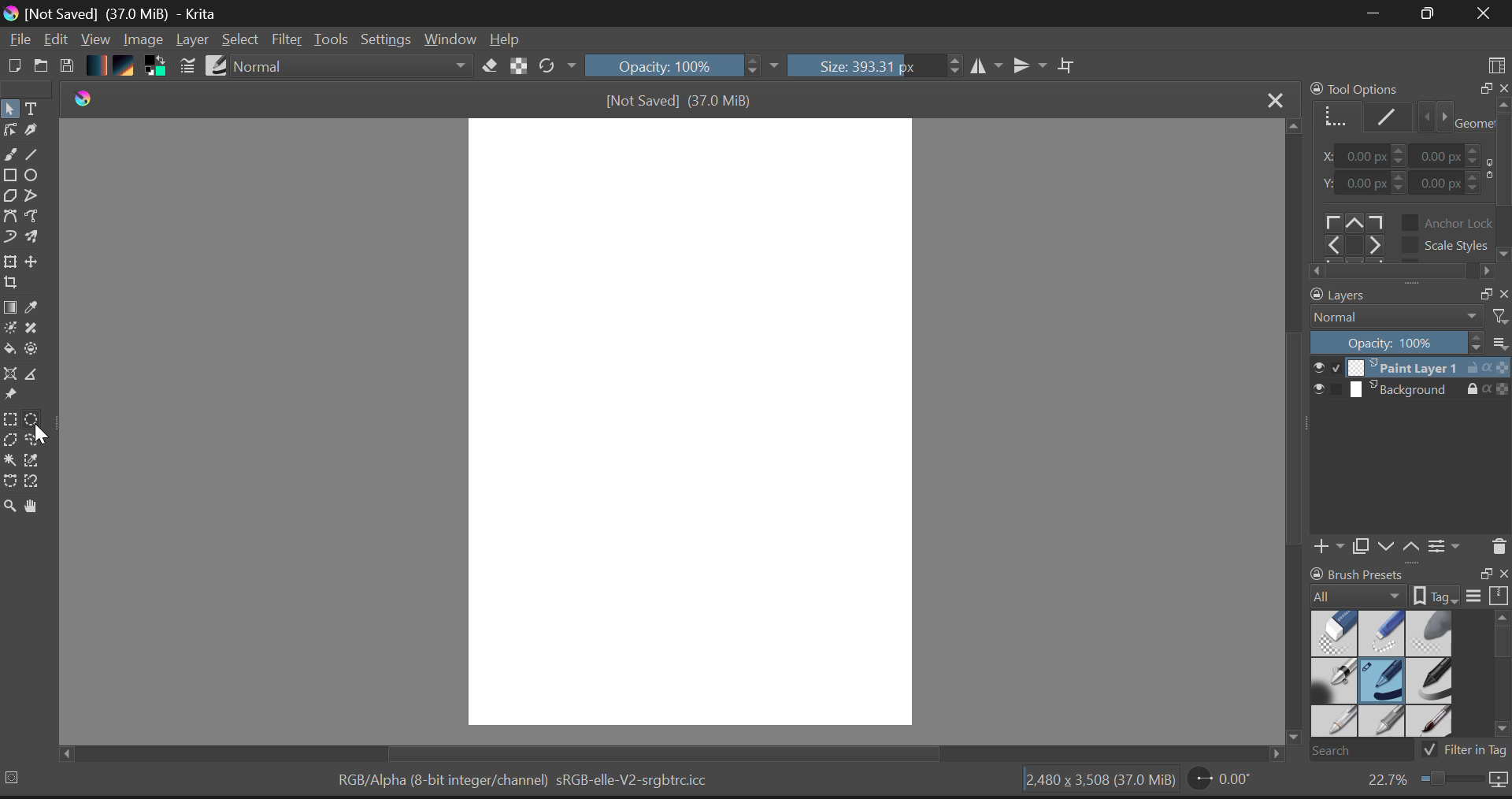 The width and height of the screenshot is (1512, 799). I want to click on Restore Down, so click(1371, 14).